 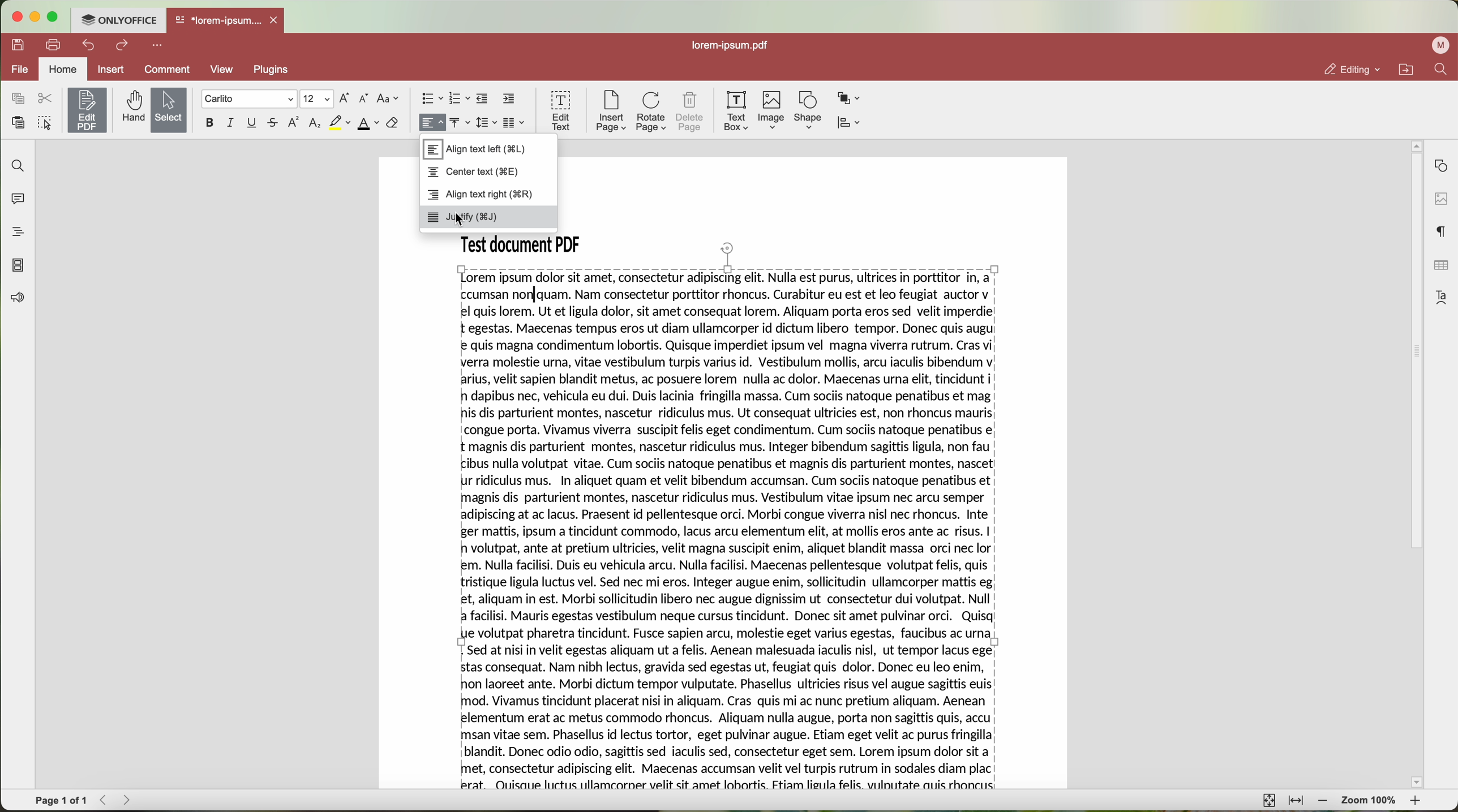 I want to click on comment, so click(x=168, y=70).